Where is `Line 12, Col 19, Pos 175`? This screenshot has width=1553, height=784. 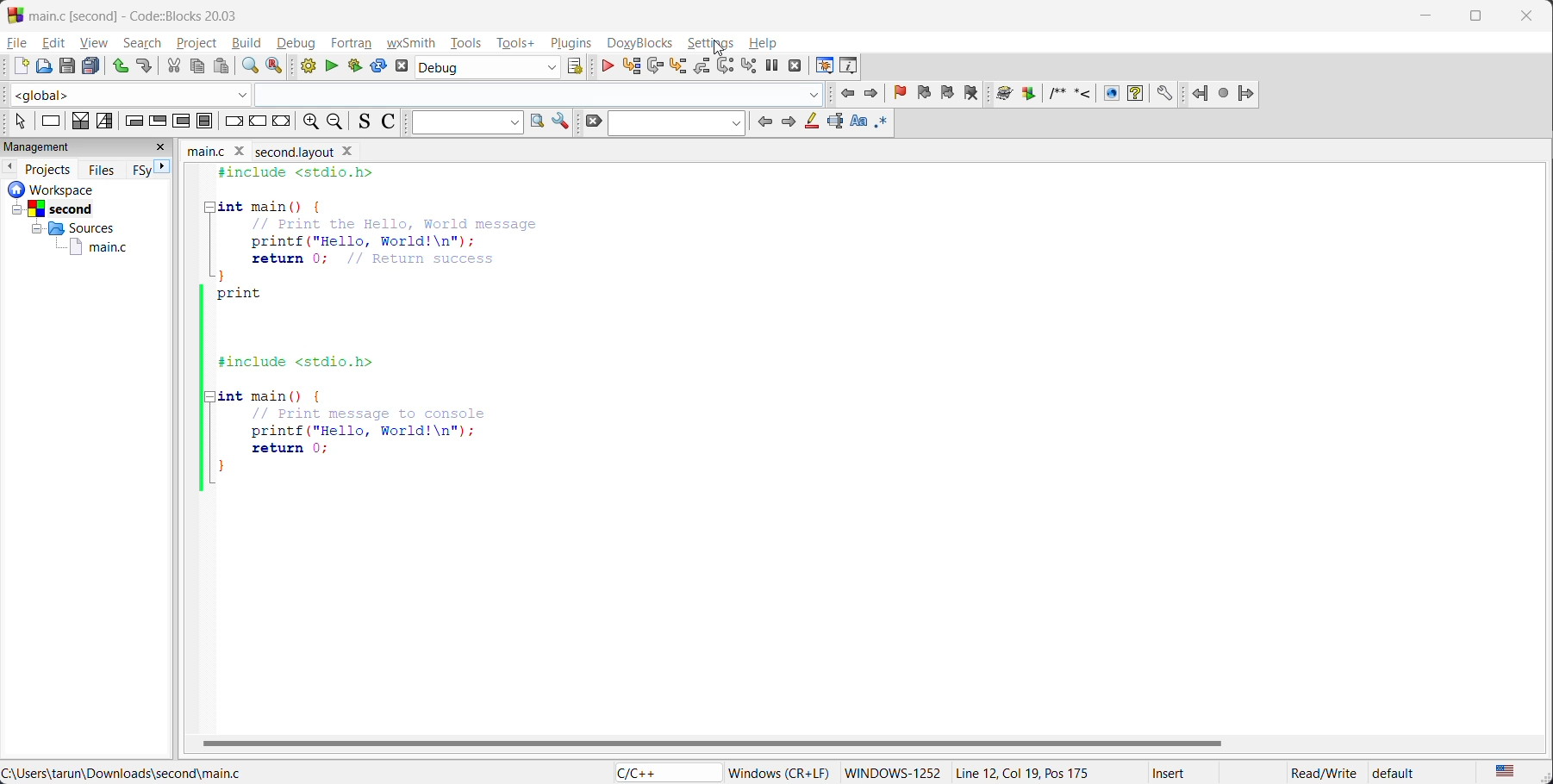 Line 12, Col 19, Pos 175 is located at coordinates (1029, 769).